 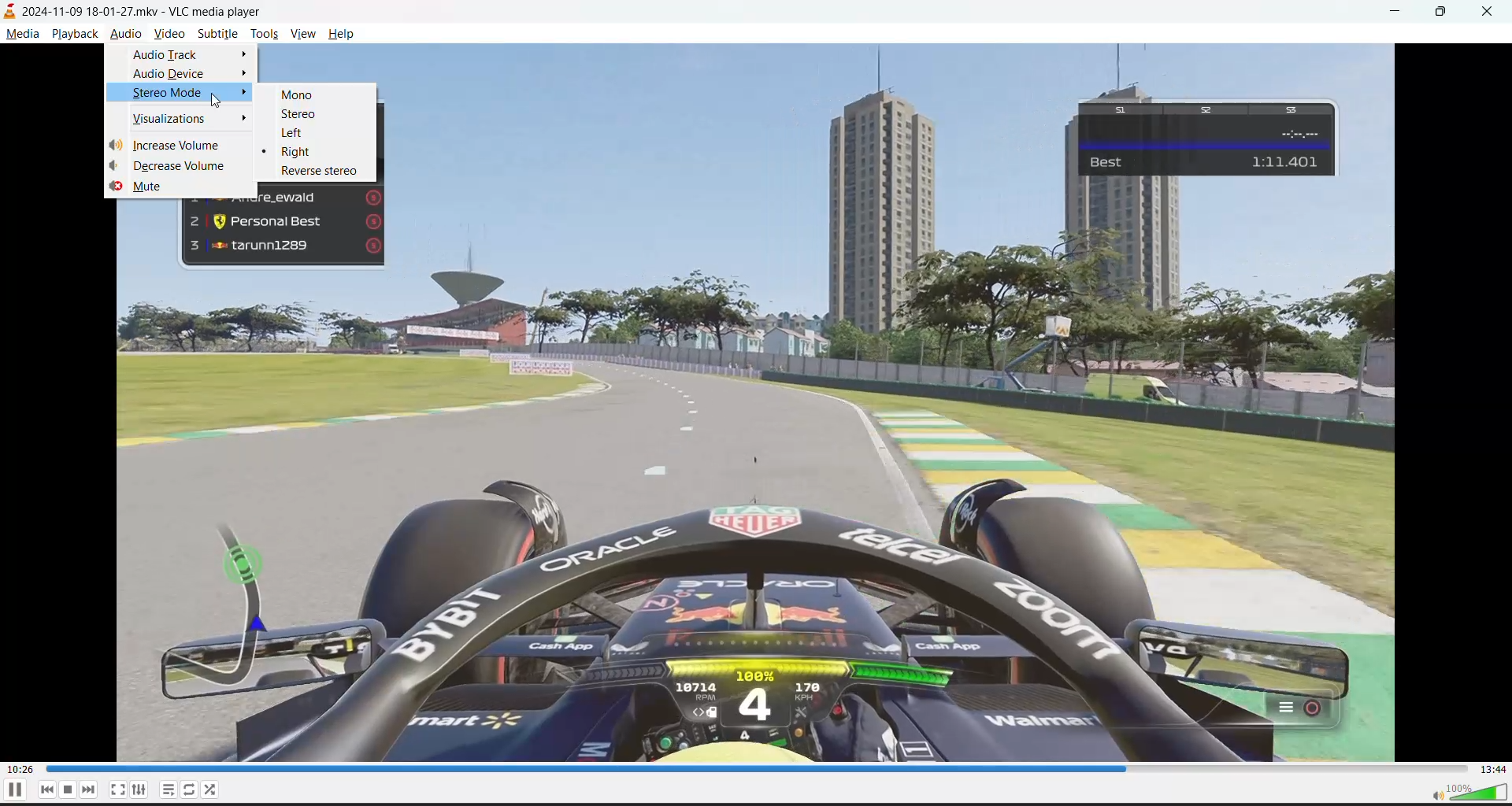 I want to click on mute, so click(x=144, y=188).